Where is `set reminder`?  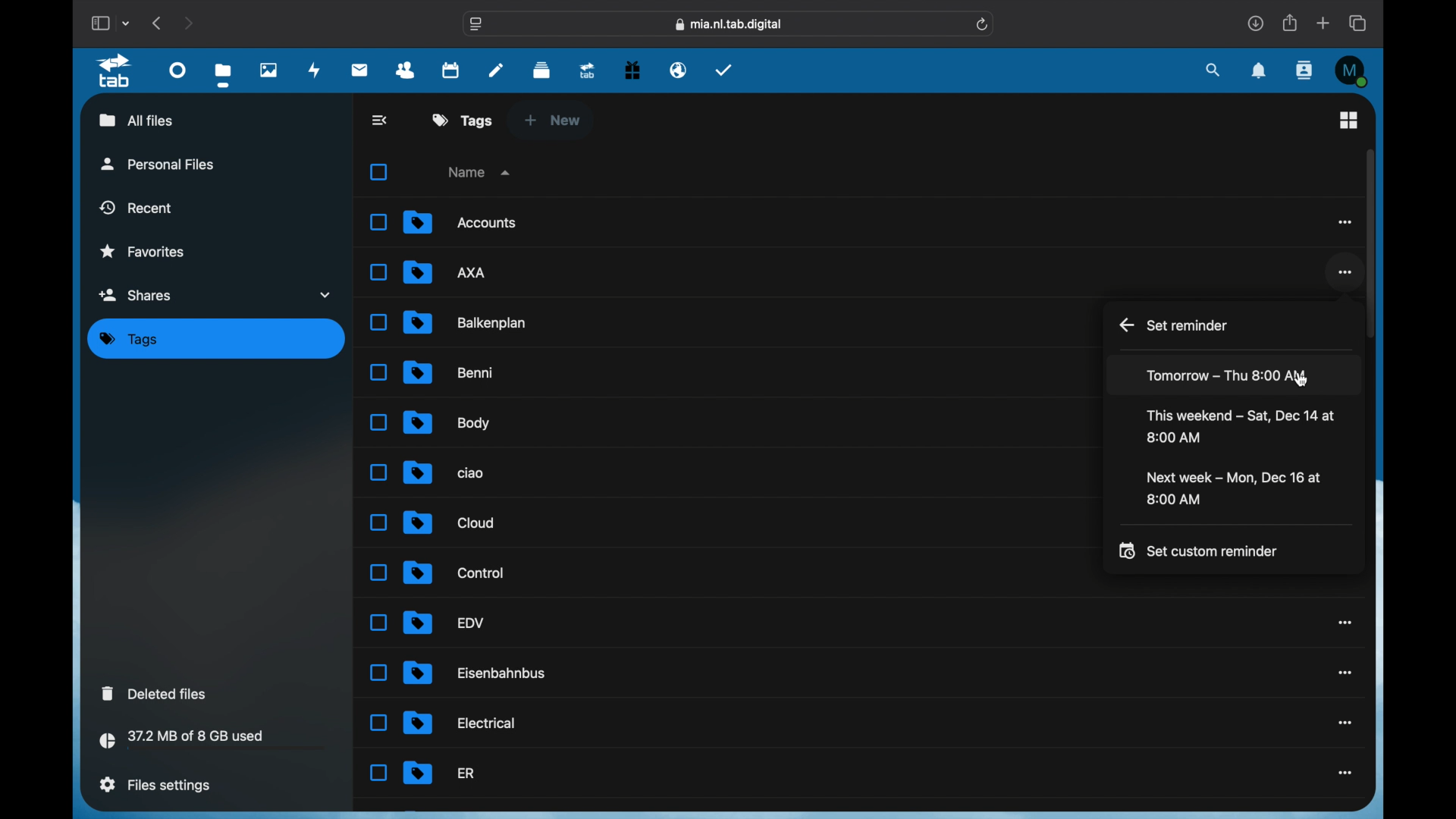 set reminder is located at coordinates (1175, 325).